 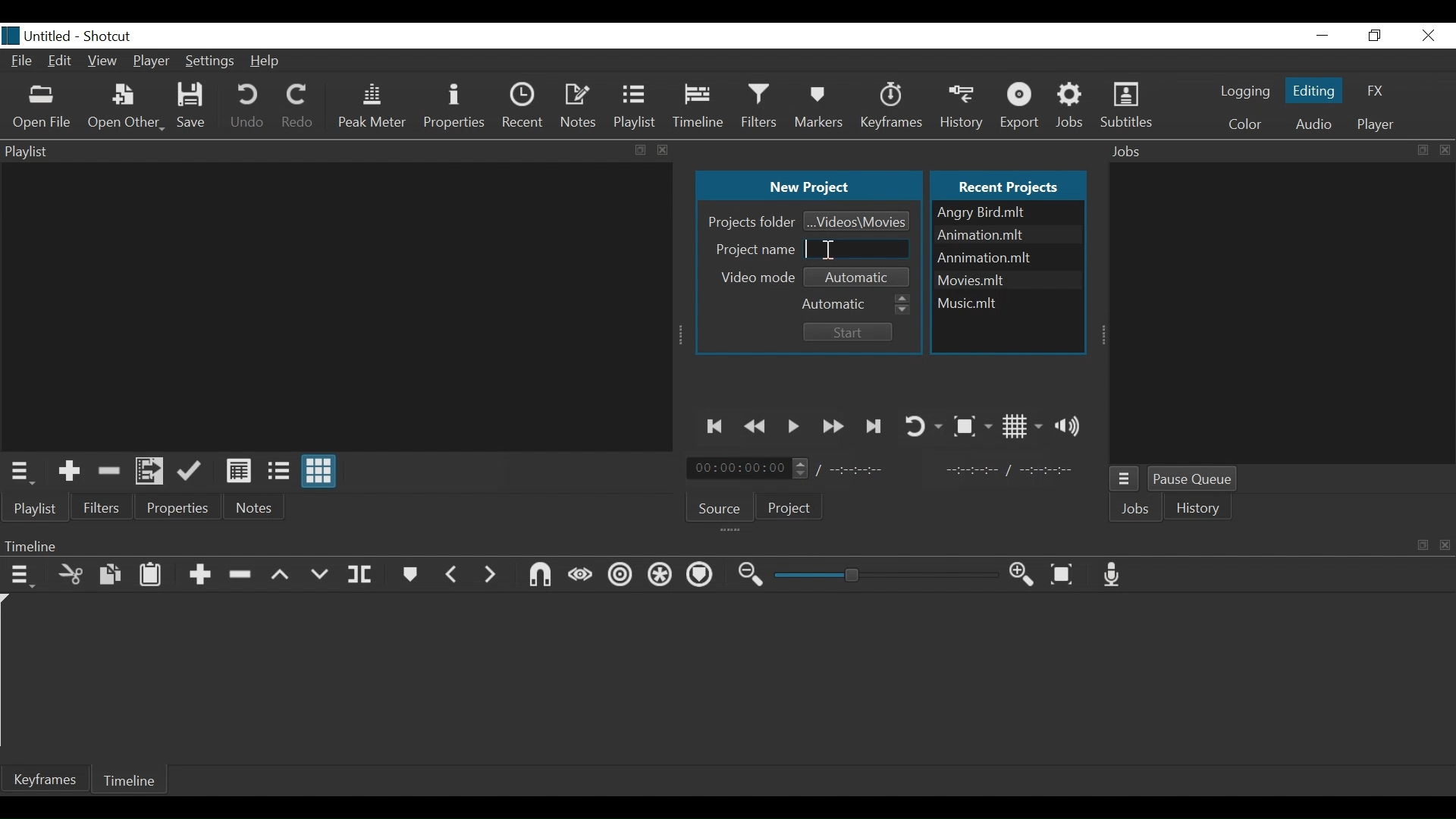 What do you see at coordinates (661, 576) in the screenshot?
I see `Ripple all tracks` at bounding box center [661, 576].